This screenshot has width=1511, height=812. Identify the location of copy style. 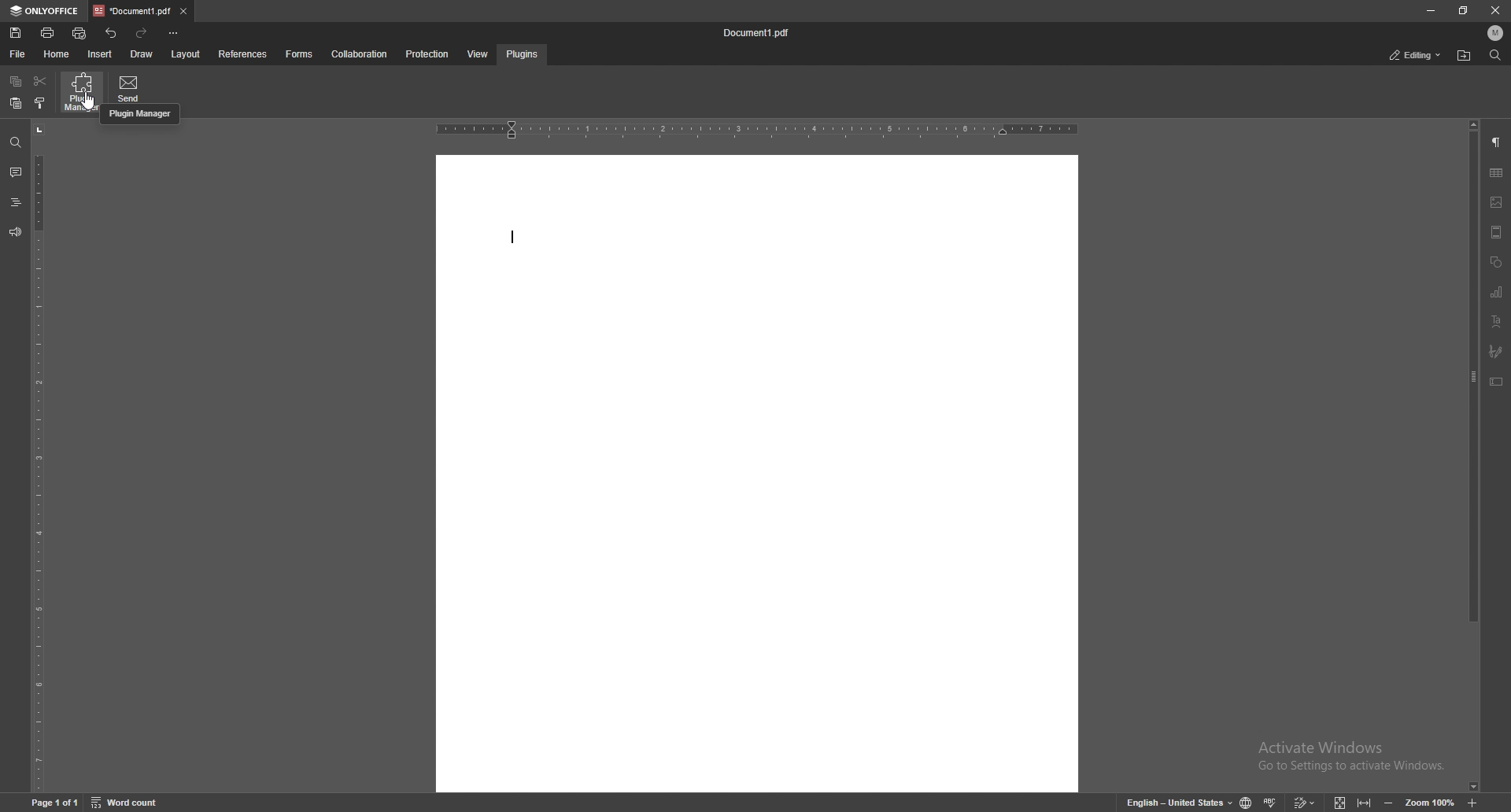
(42, 103).